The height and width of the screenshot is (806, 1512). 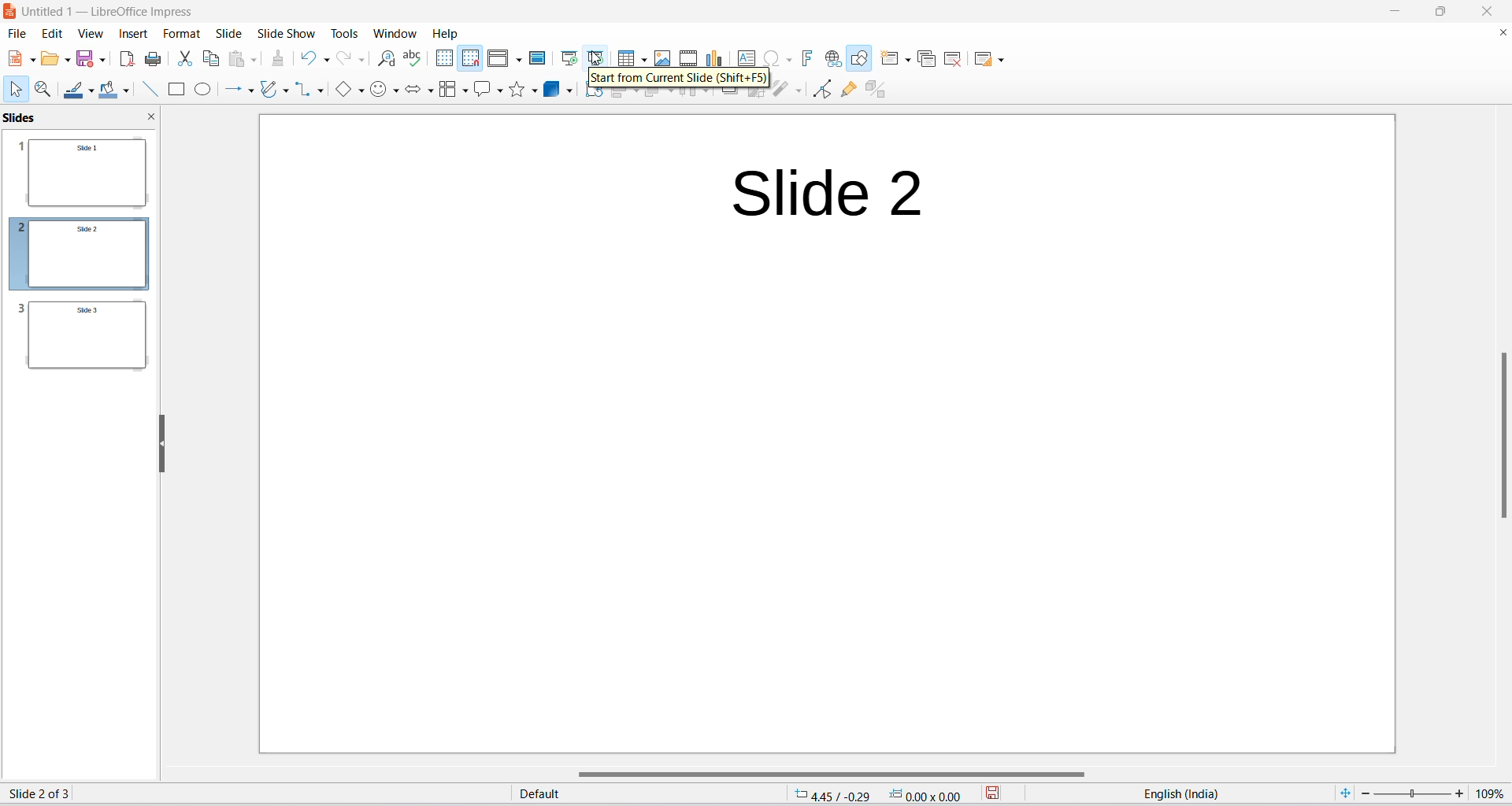 What do you see at coordinates (90, 35) in the screenshot?
I see `view` at bounding box center [90, 35].